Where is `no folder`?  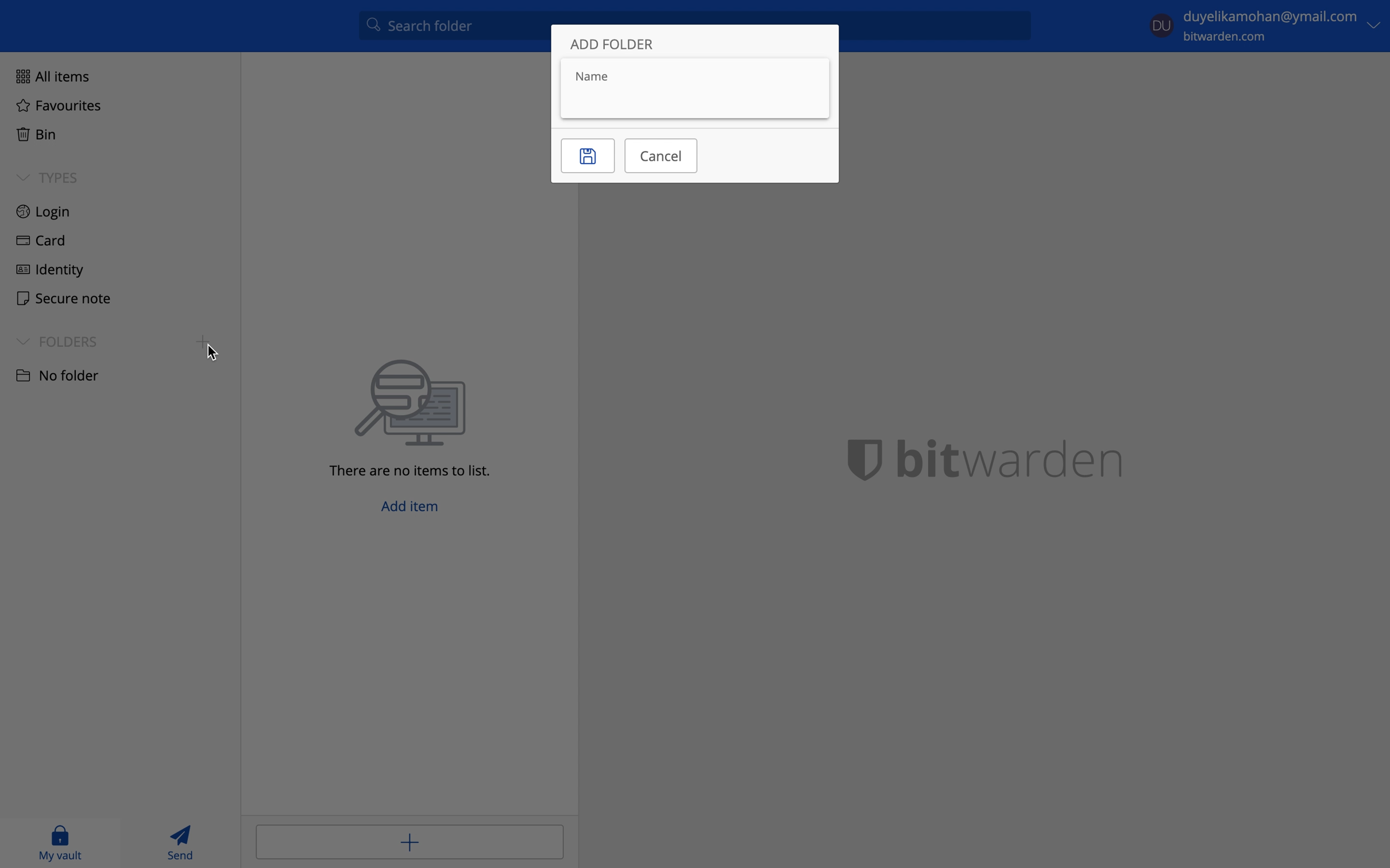
no folder is located at coordinates (56, 374).